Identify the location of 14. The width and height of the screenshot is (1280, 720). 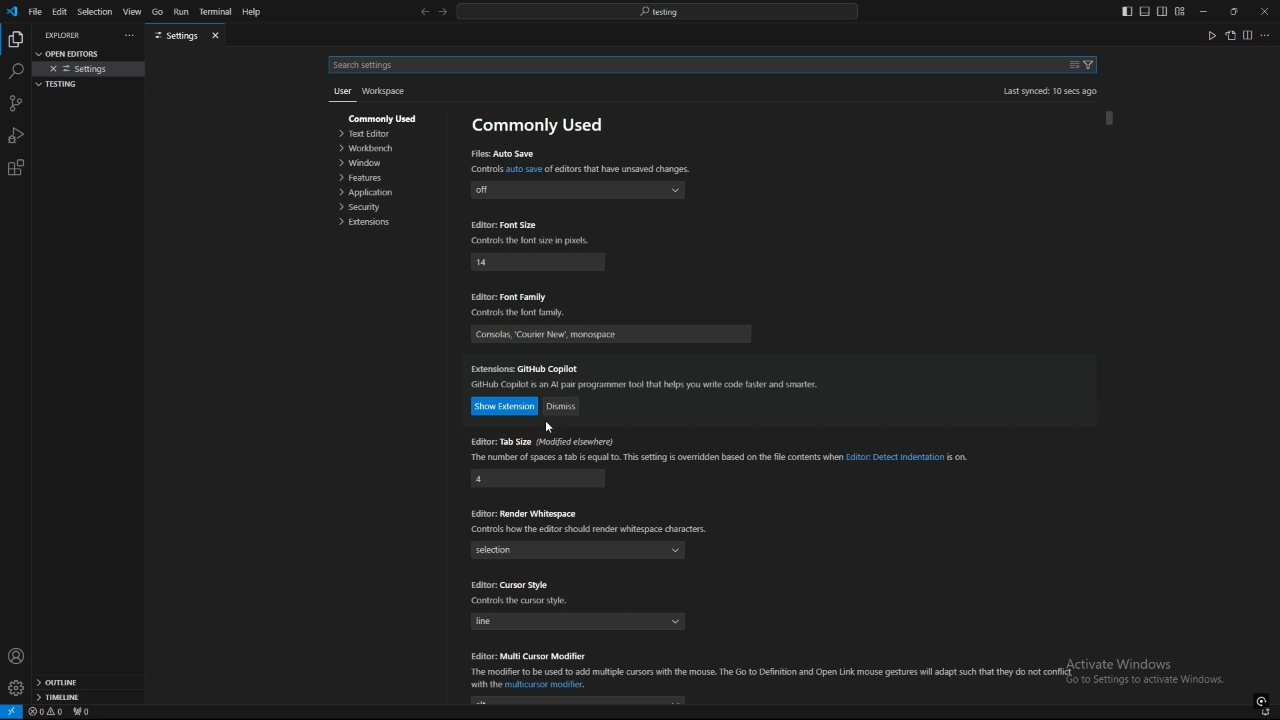
(537, 262).